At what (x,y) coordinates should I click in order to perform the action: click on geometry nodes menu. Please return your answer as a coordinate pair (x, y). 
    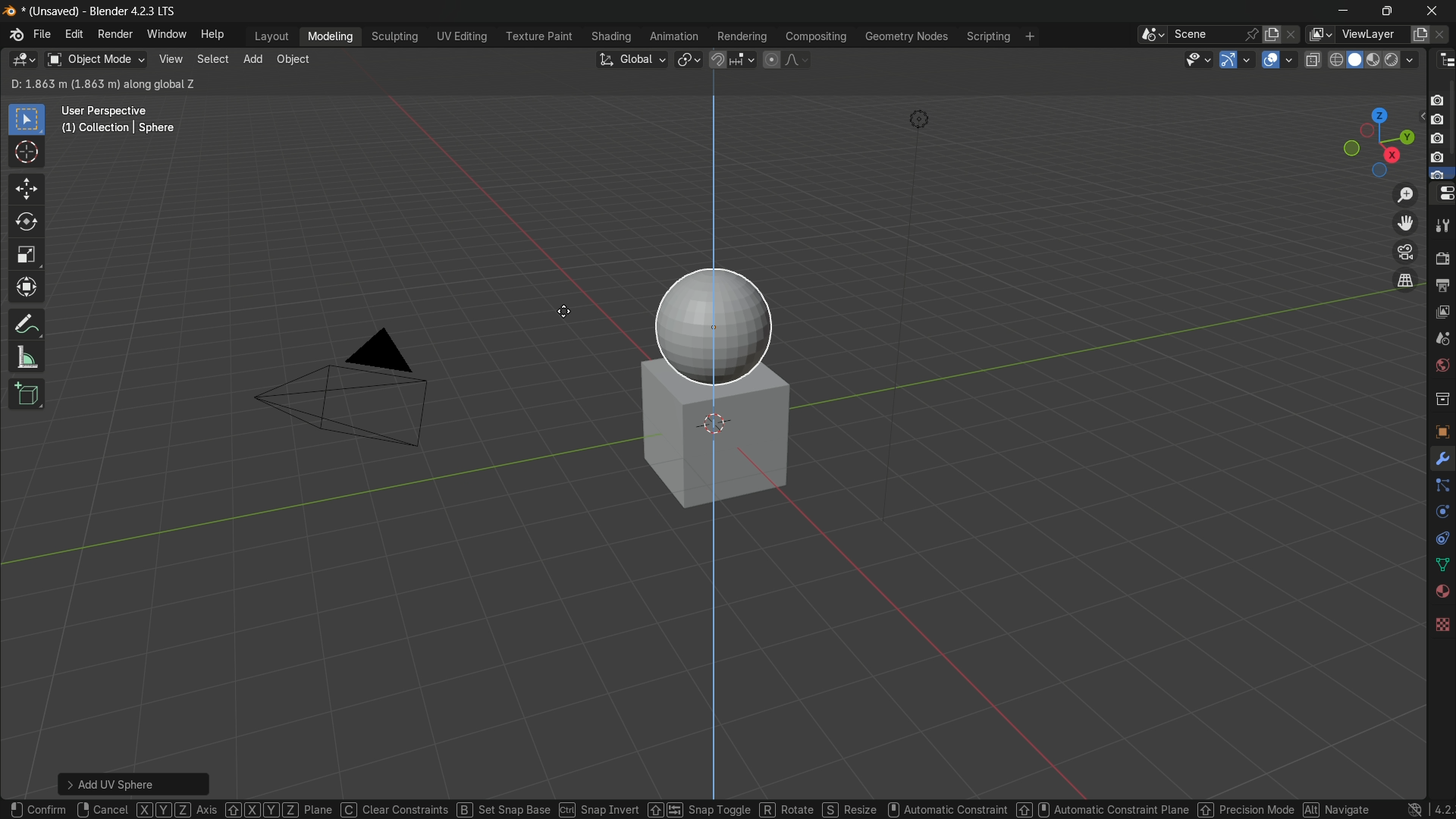
    Looking at the image, I should click on (907, 36).